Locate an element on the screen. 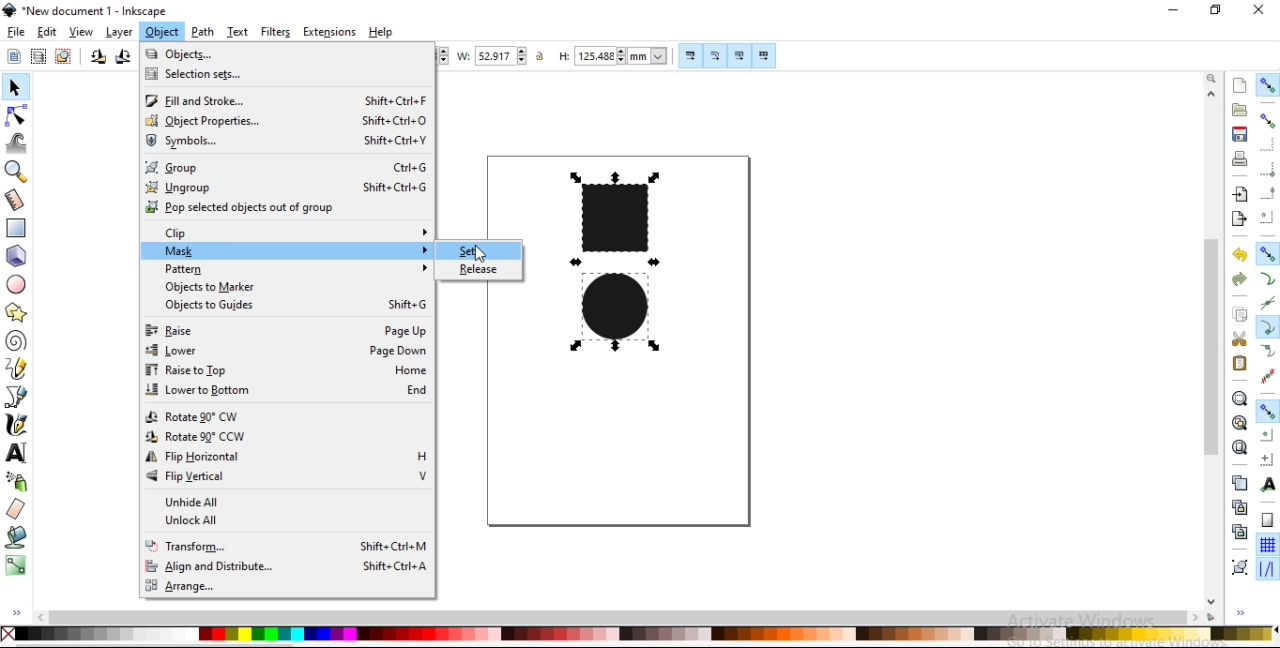 The width and height of the screenshot is (1280, 648). raise to top is located at coordinates (286, 372).